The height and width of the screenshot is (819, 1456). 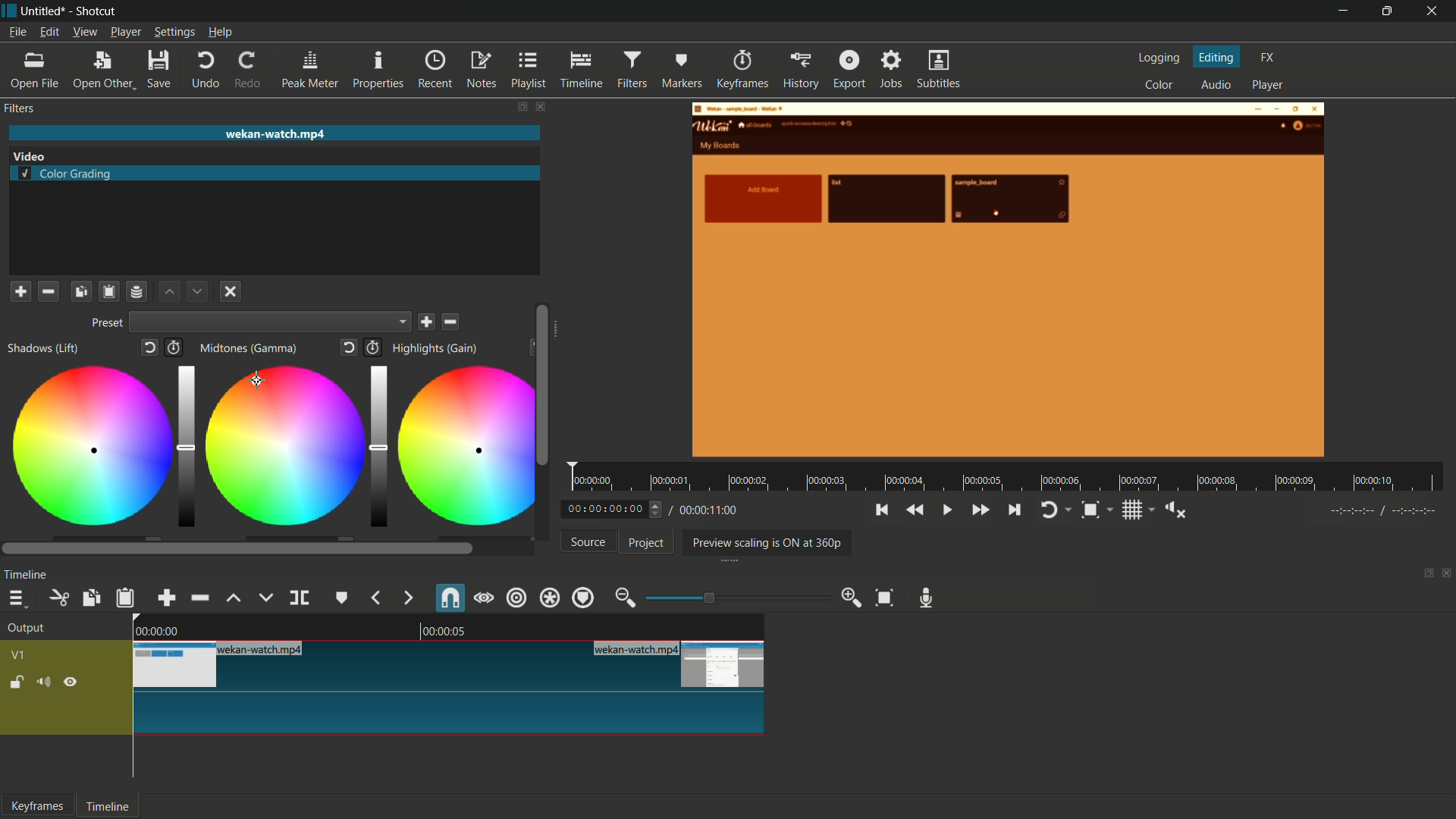 What do you see at coordinates (1157, 58) in the screenshot?
I see `logging` at bounding box center [1157, 58].